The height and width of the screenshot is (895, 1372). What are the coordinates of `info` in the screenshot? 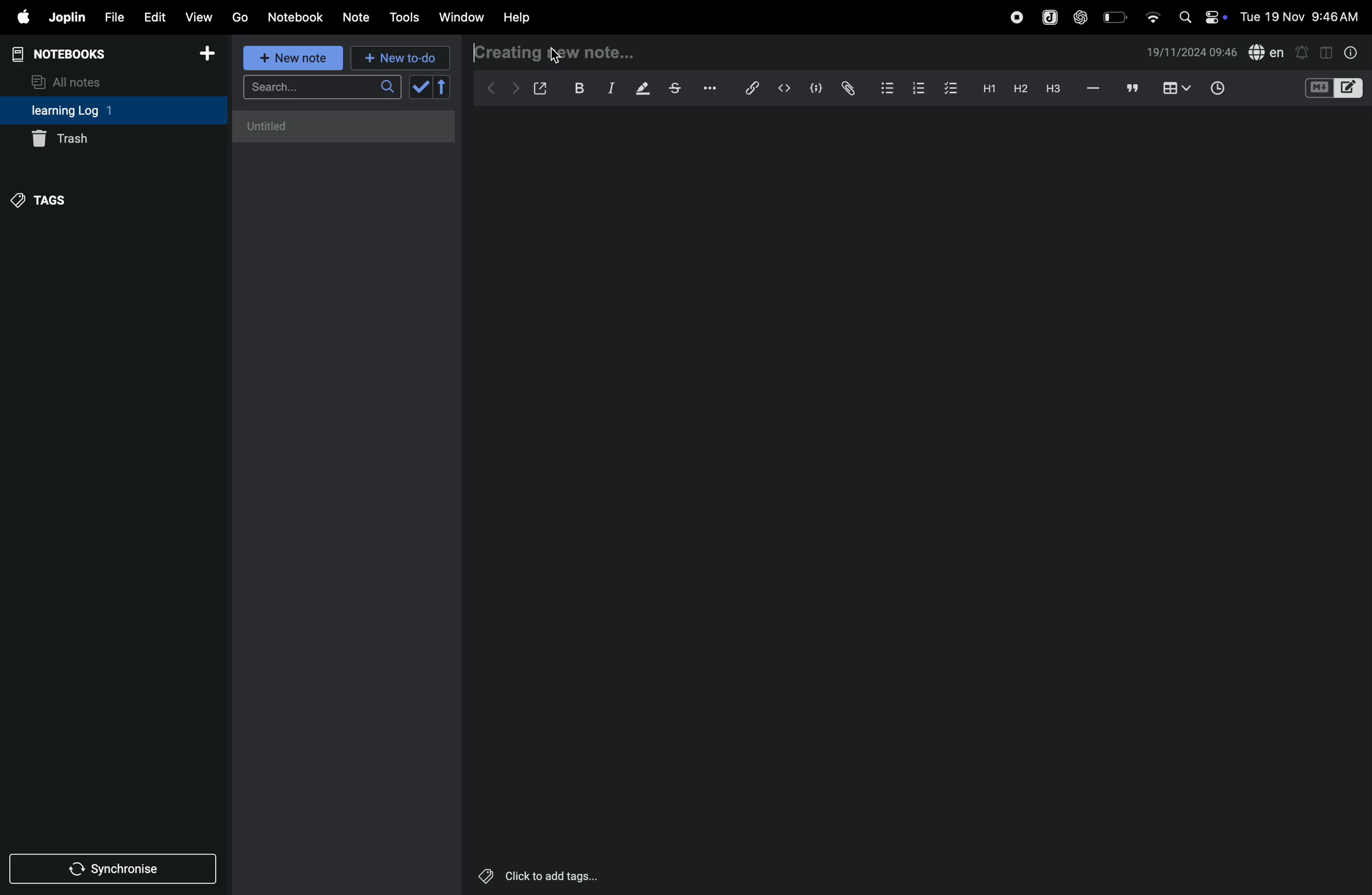 It's located at (1349, 52).